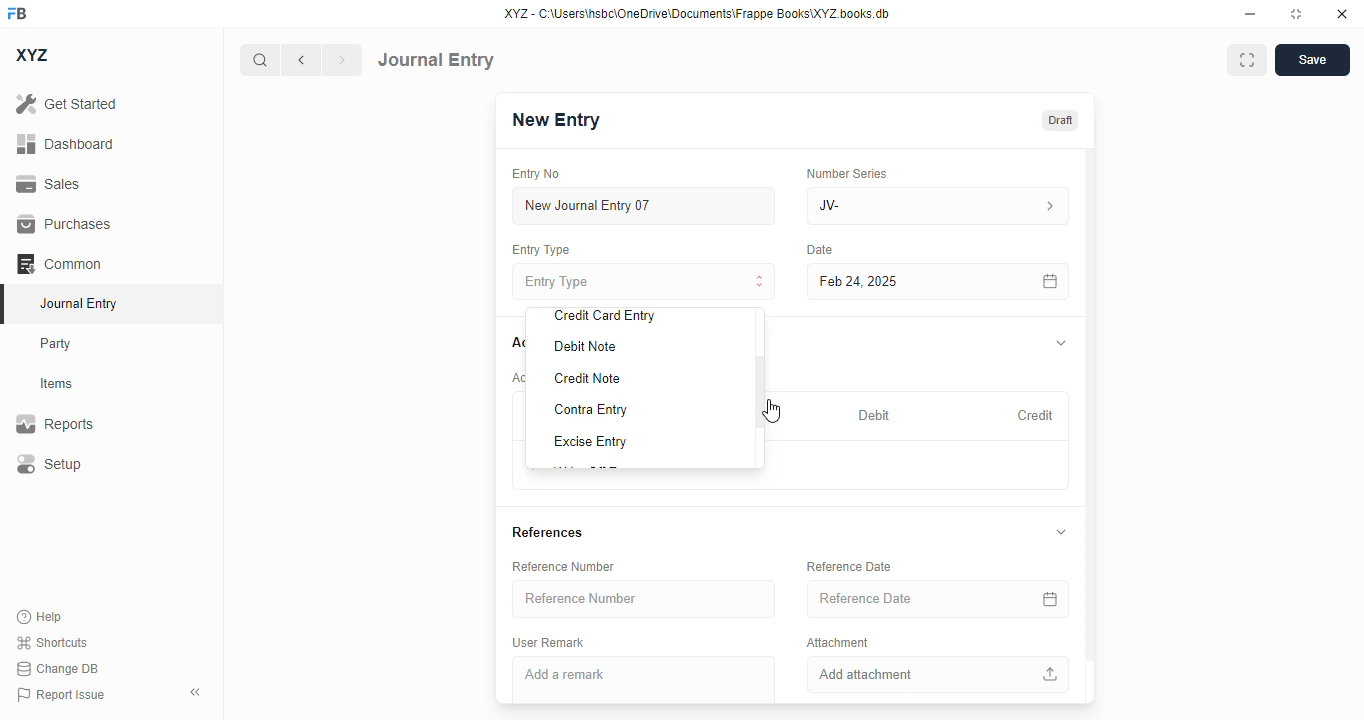 The width and height of the screenshot is (1364, 720). Describe the element at coordinates (548, 533) in the screenshot. I see `references` at that location.